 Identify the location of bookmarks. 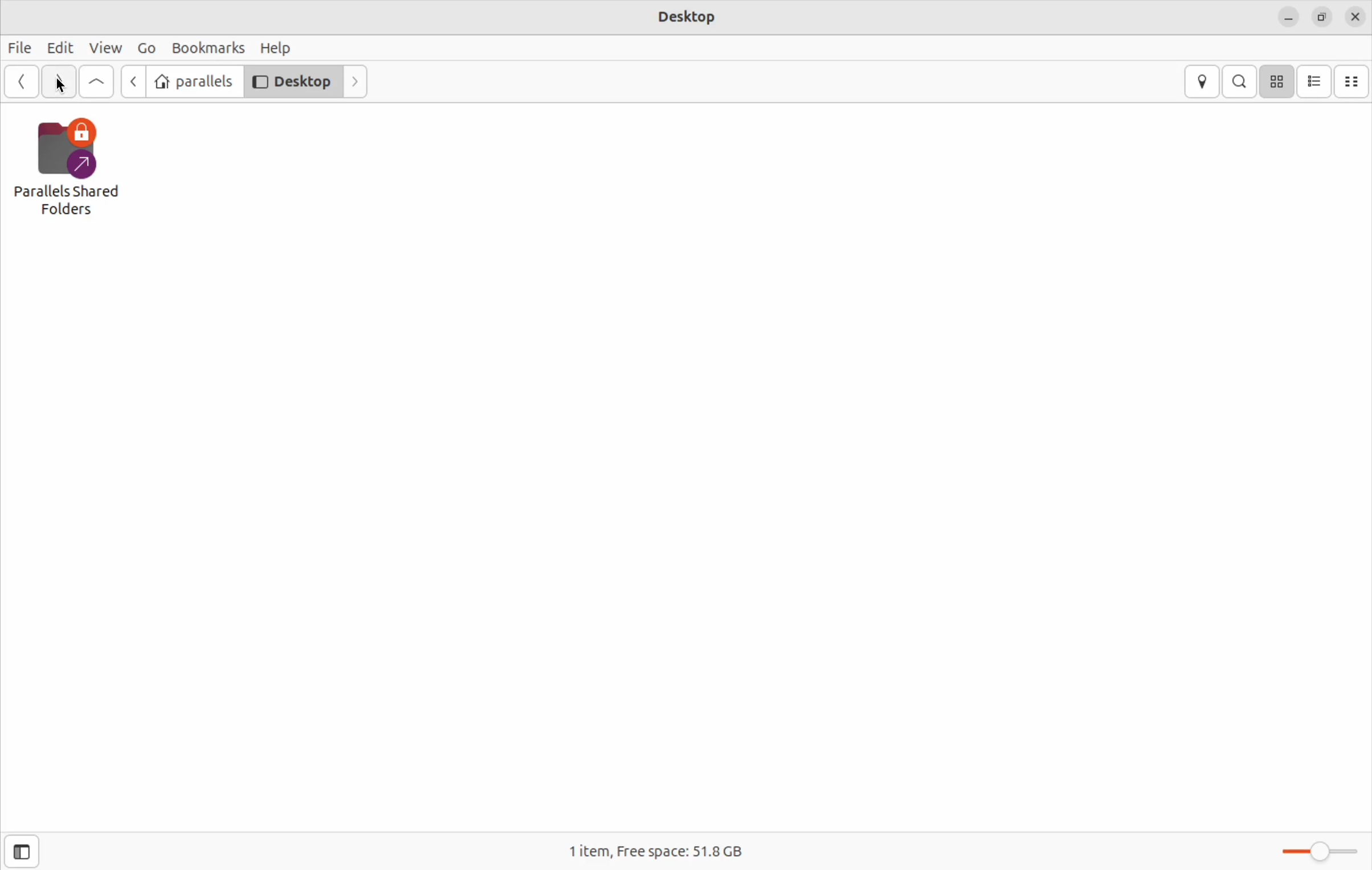
(209, 46).